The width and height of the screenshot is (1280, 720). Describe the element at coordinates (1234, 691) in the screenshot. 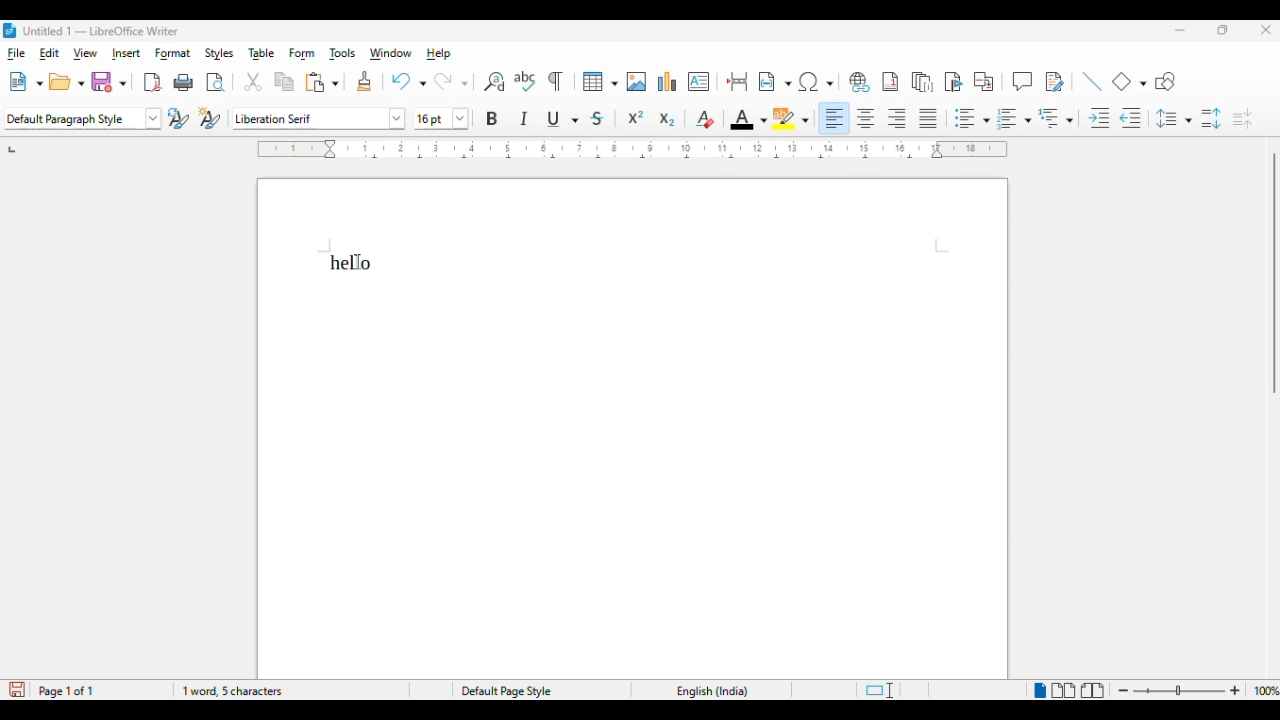

I see `zoom in` at that location.